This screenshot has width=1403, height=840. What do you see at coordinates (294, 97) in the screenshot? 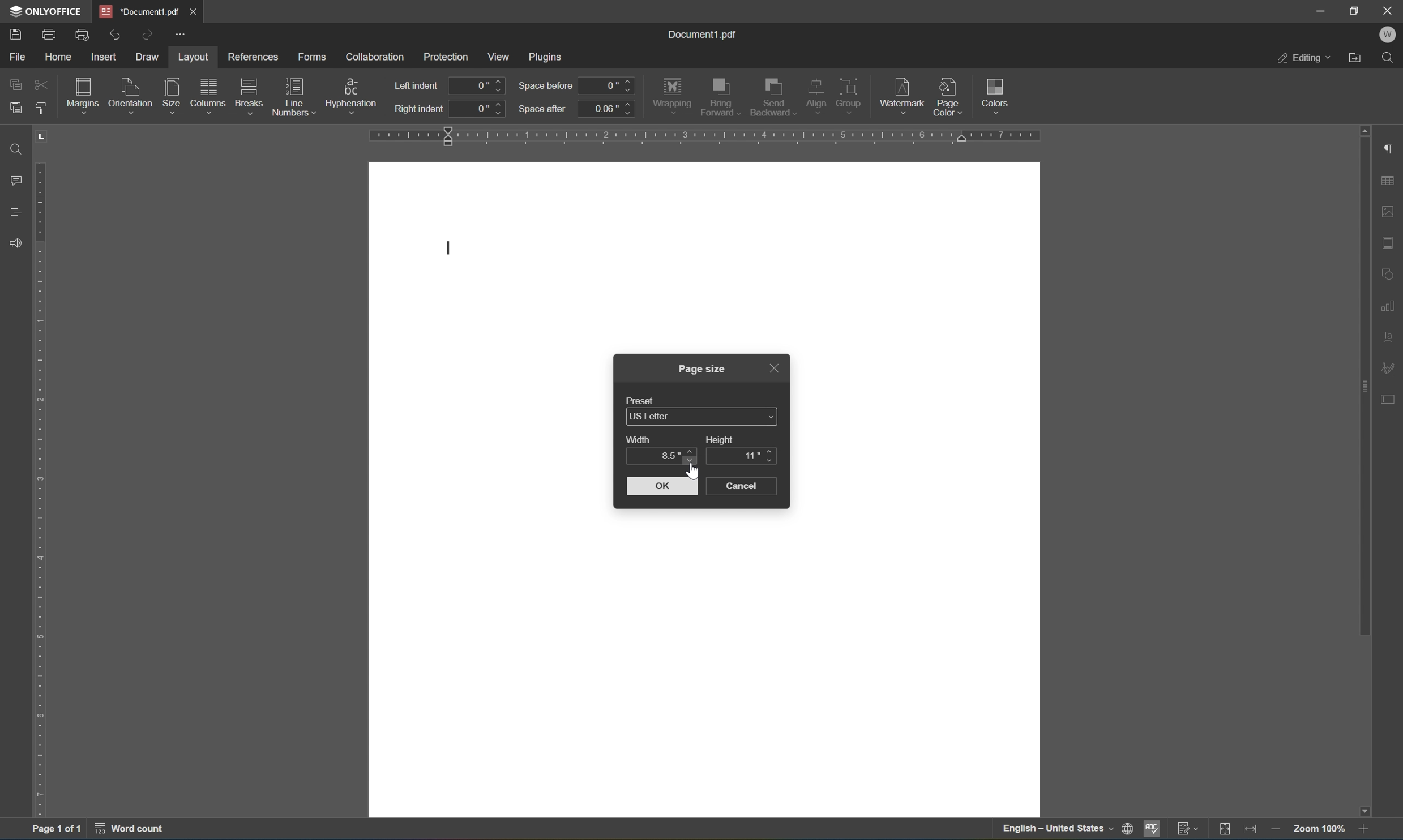
I see `line numbers` at bounding box center [294, 97].